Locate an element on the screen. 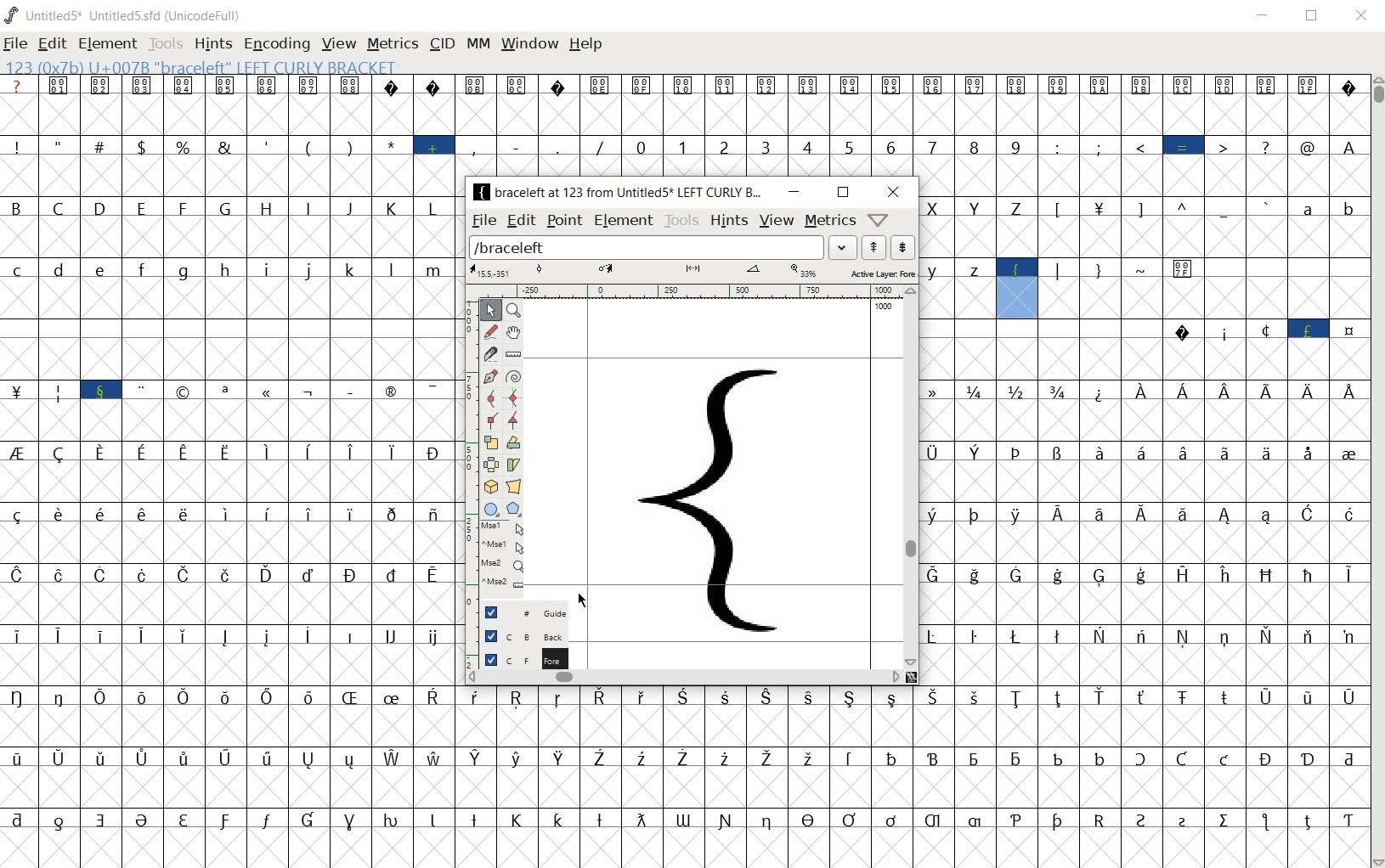 This screenshot has height=868, width=1385. measure a distance, angle between points is located at coordinates (514, 355).